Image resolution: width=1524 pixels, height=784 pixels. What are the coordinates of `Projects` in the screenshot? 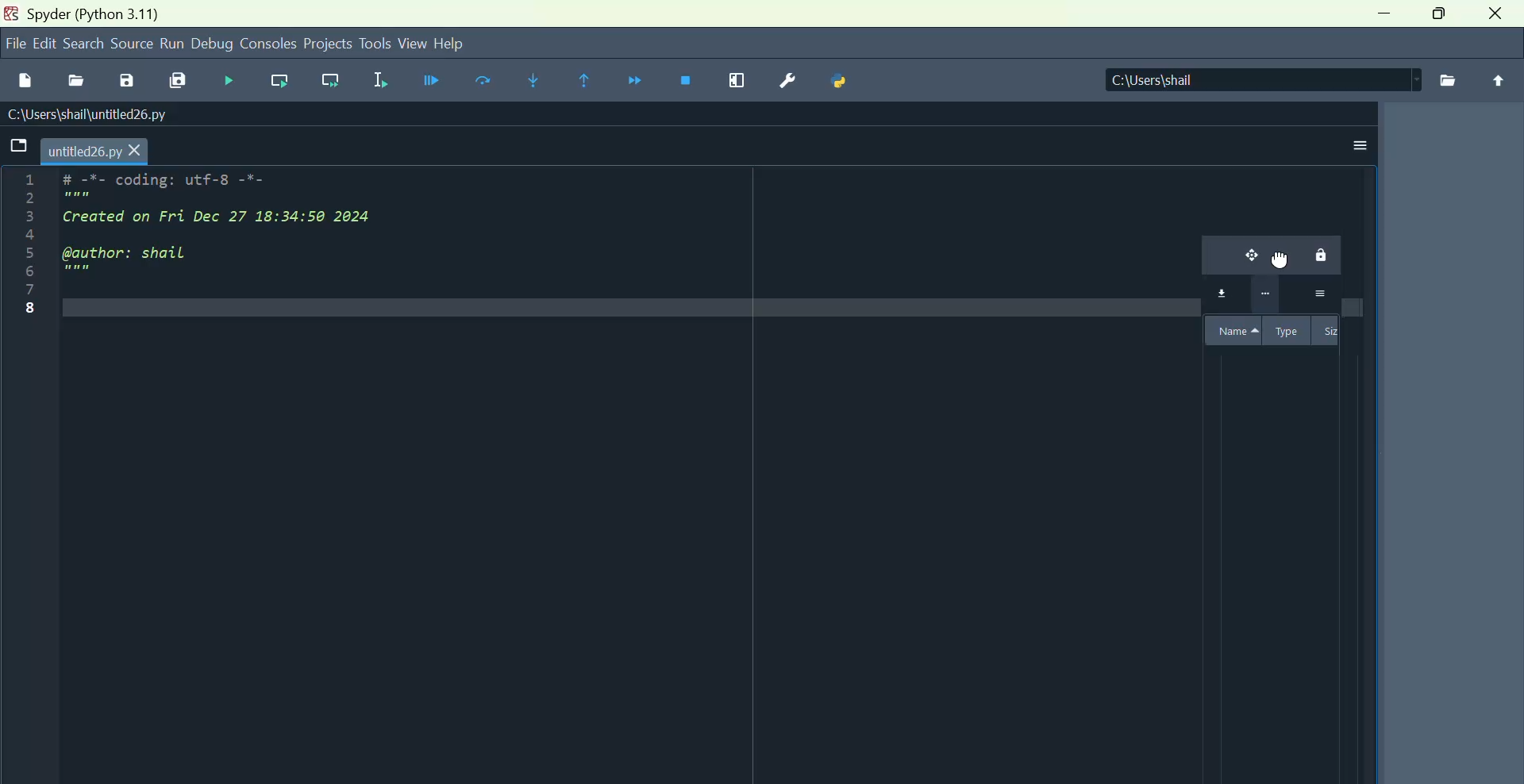 It's located at (329, 42).